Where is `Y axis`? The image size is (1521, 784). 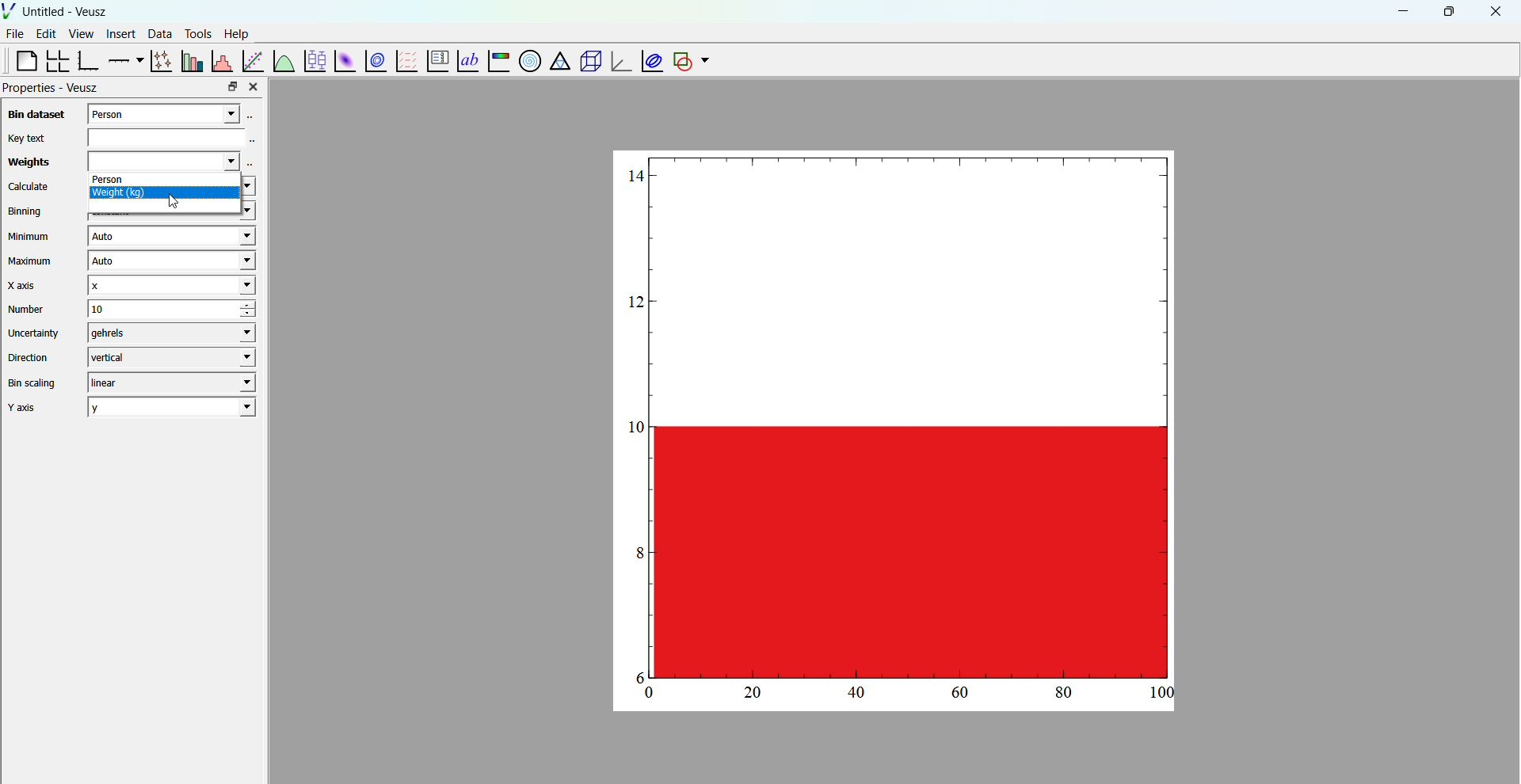
Y axis is located at coordinates (28, 408).